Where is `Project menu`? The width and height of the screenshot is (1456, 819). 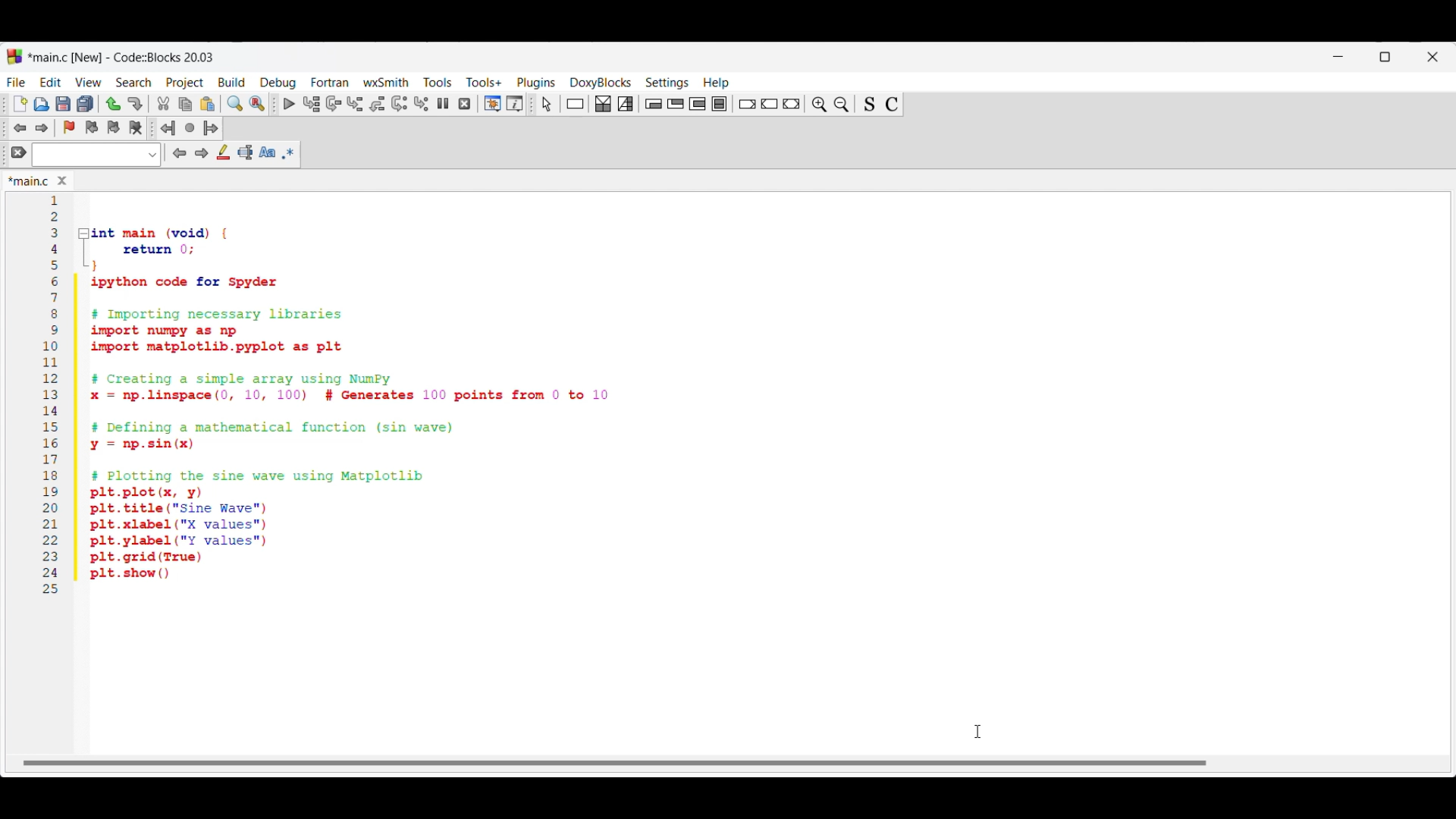
Project menu is located at coordinates (185, 83).